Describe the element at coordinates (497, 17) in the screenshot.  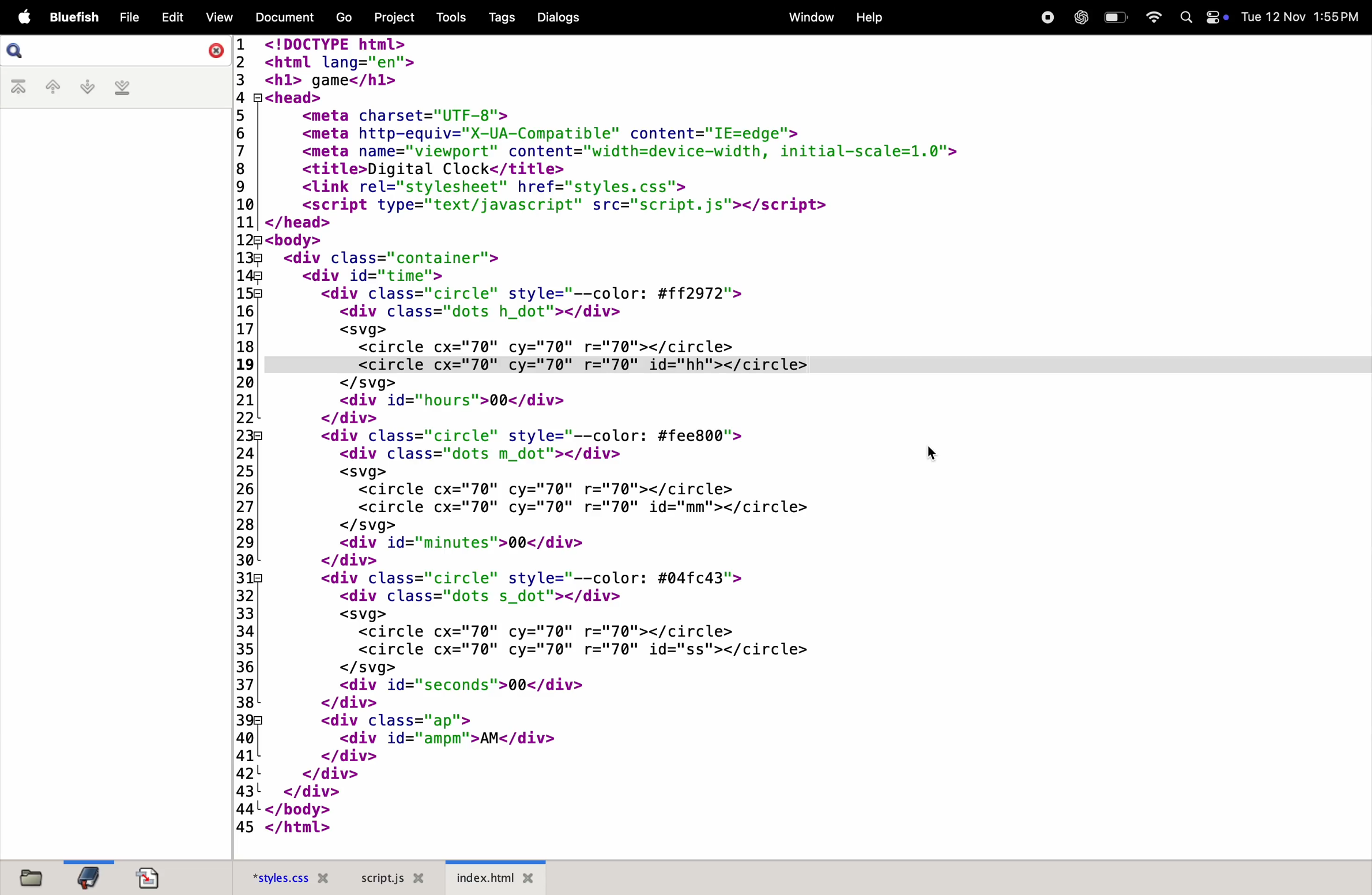
I see `tags` at that location.